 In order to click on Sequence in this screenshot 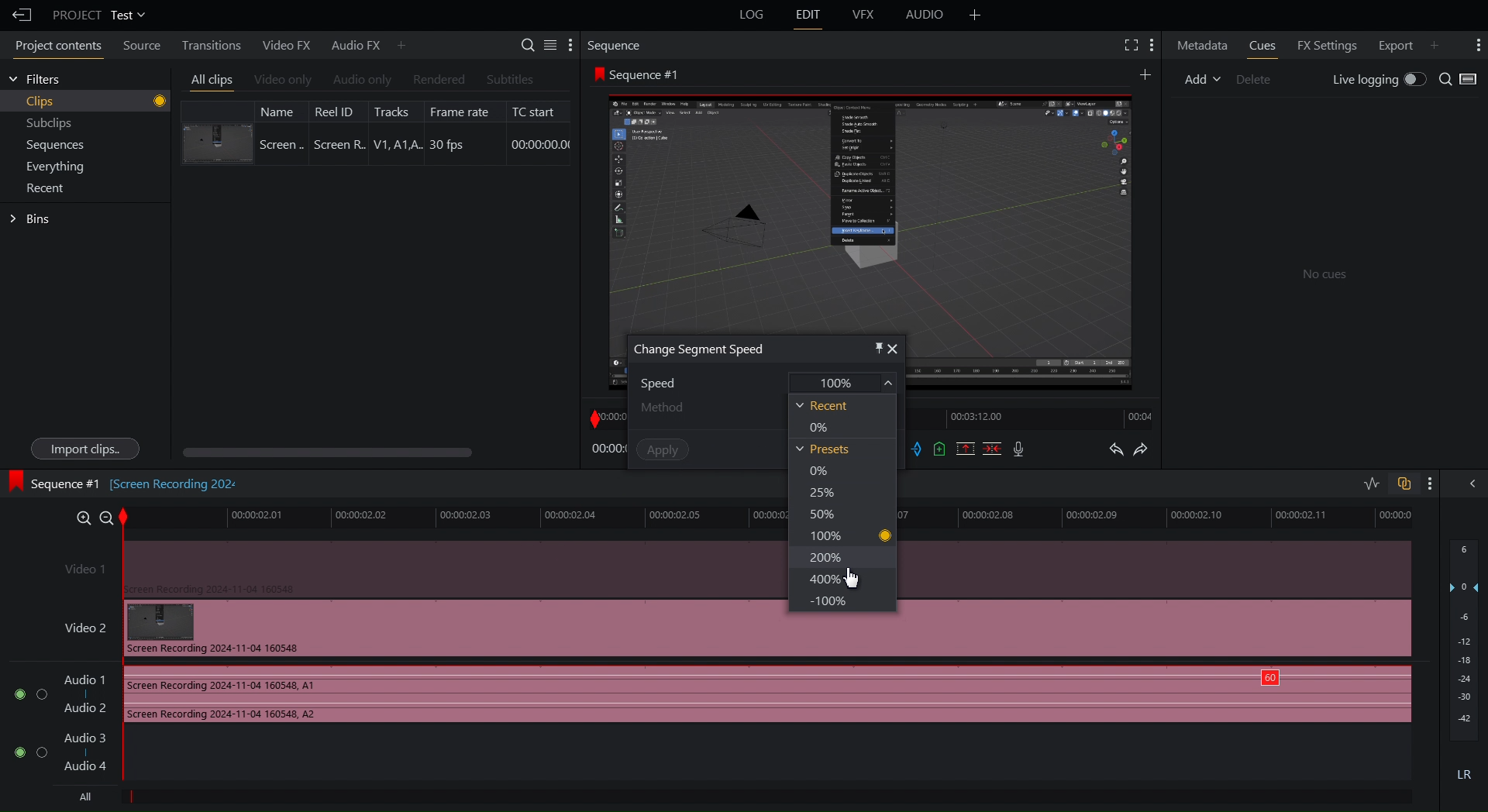, I will do `click(619, 45)`.